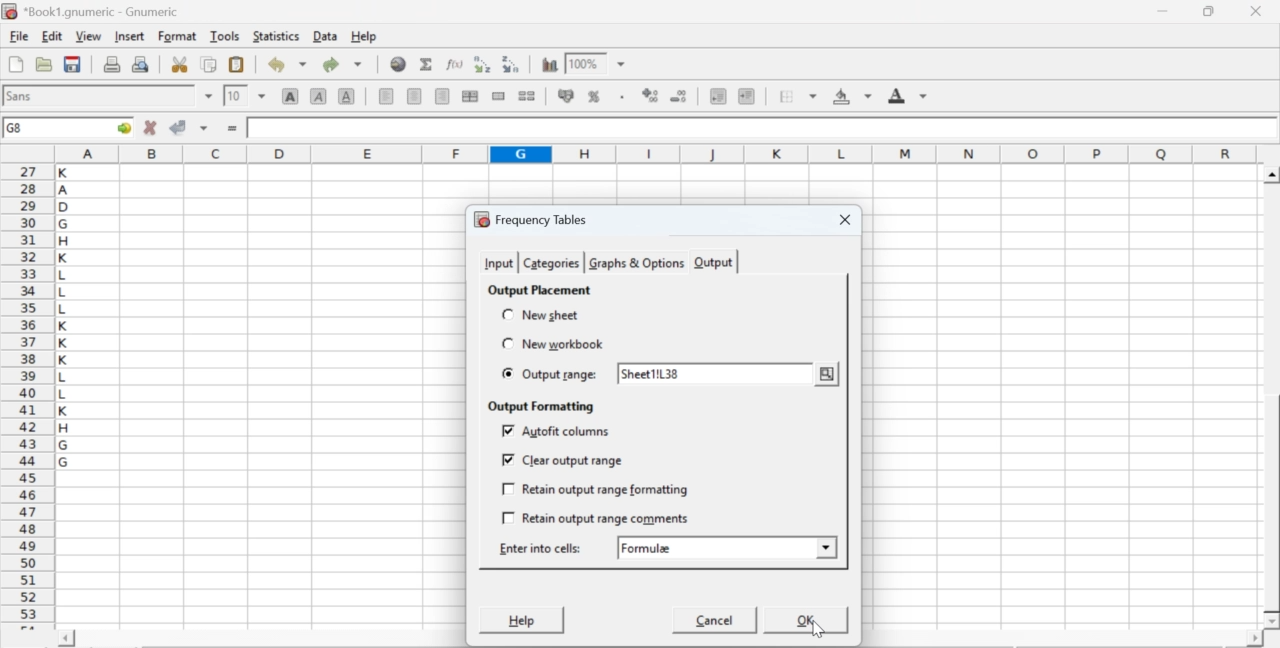  Describe the element at coordinates (1272, 398) in the screenshot. I see `scroll bar` at that location.